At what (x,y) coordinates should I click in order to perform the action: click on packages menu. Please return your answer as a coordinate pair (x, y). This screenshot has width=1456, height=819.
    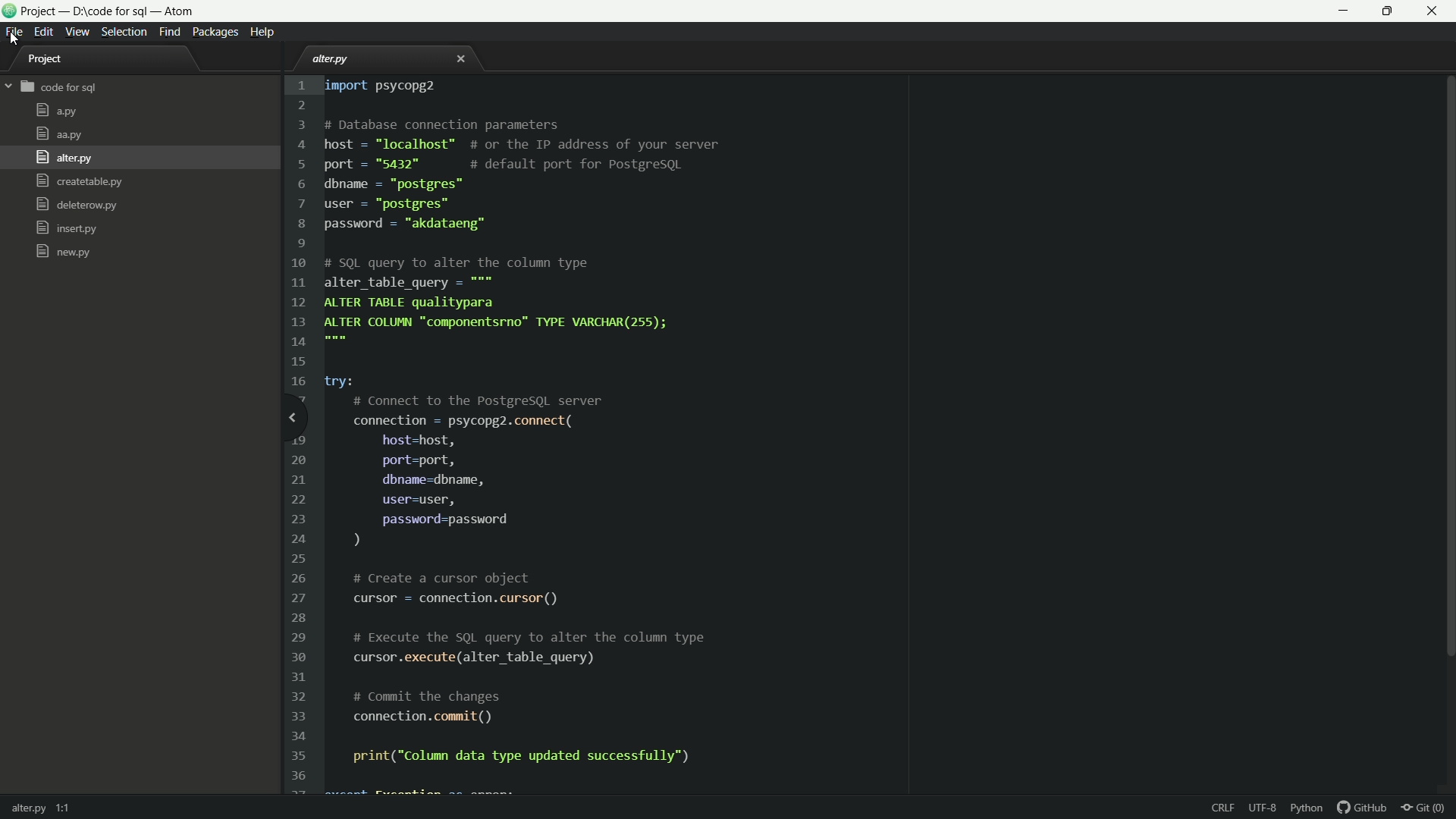
    Looking at the image, I should click on (217, 32).